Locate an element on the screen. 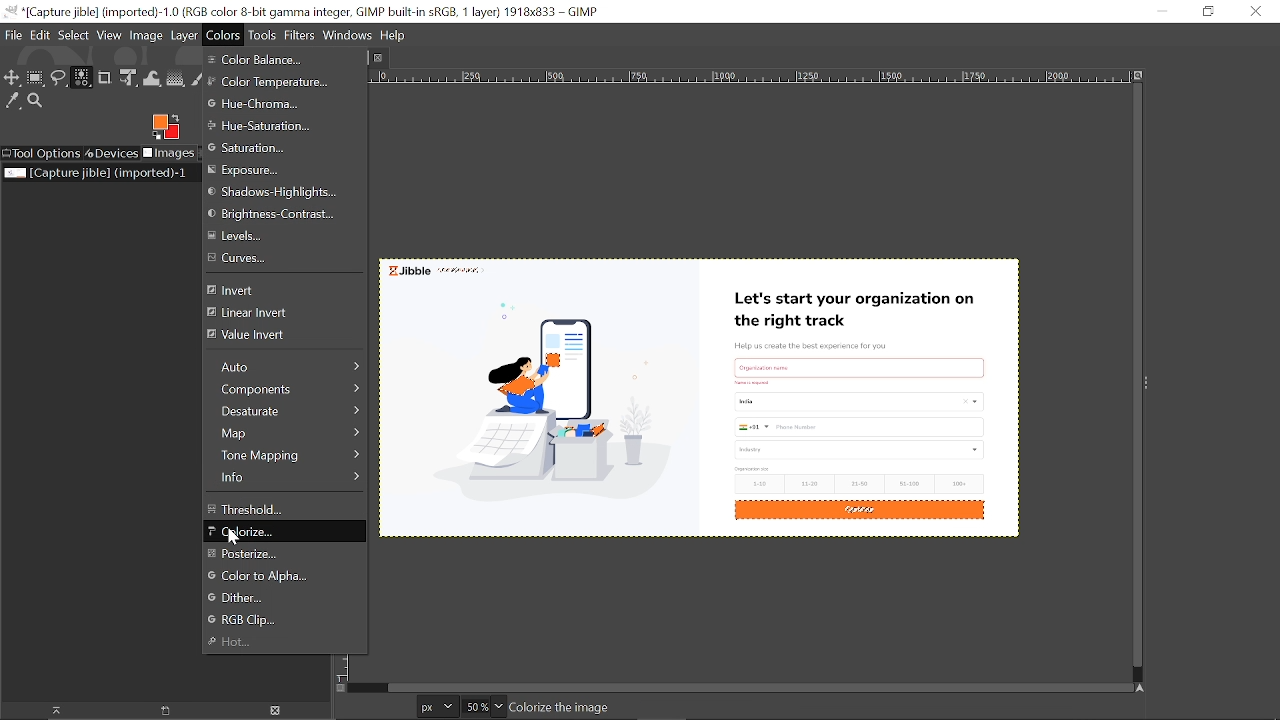  new display for this image  is located at coordinates (163, 711).